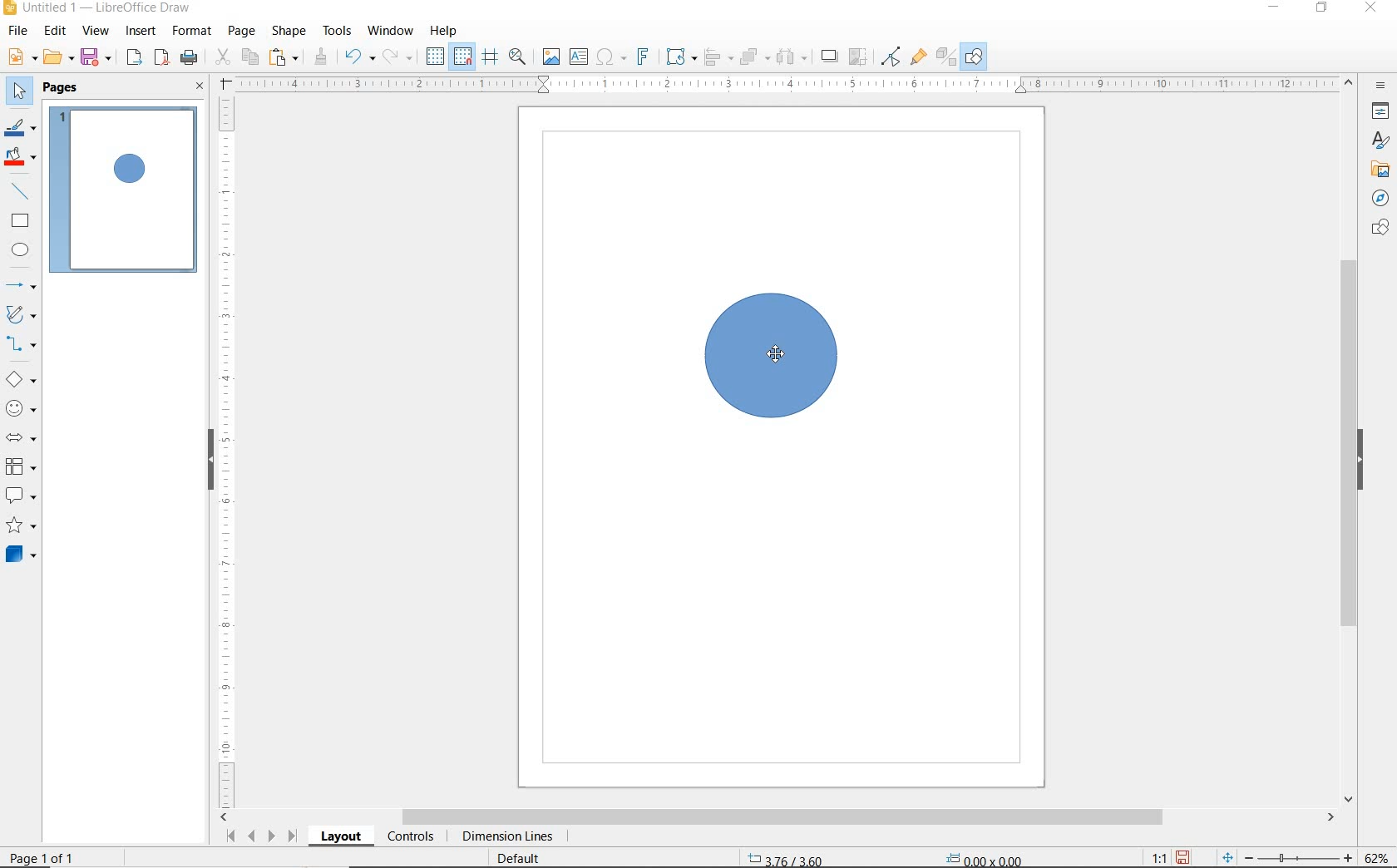 The image size is (1397, 868). What do you see at coordinates (62, 89) in the screenshot?
I see `PAGES` at bounding box center [62, 89].